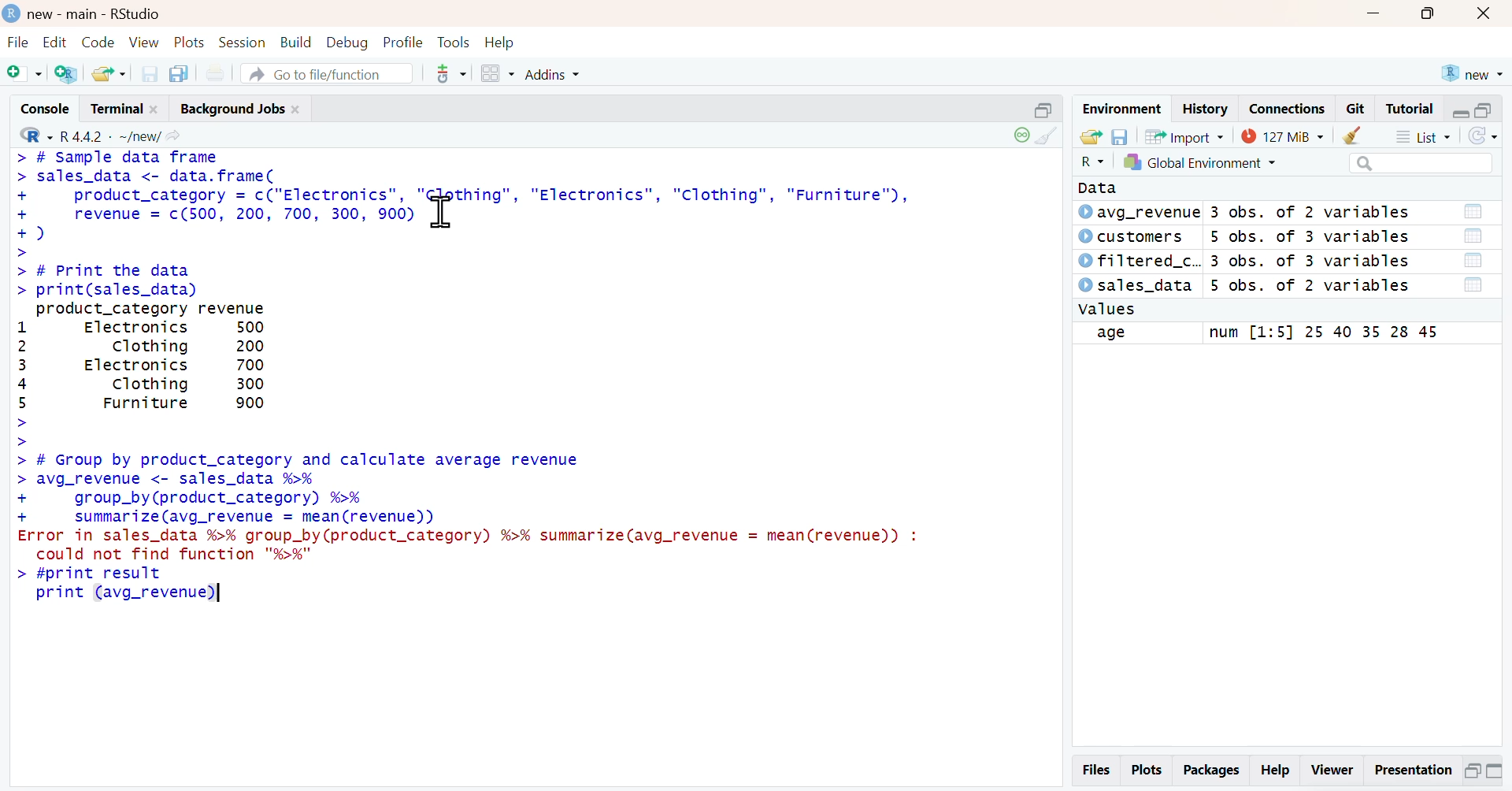 Image resolution: width=1512 pixels, height=791 pixels. I want to click on Data, so click(1104, 188).